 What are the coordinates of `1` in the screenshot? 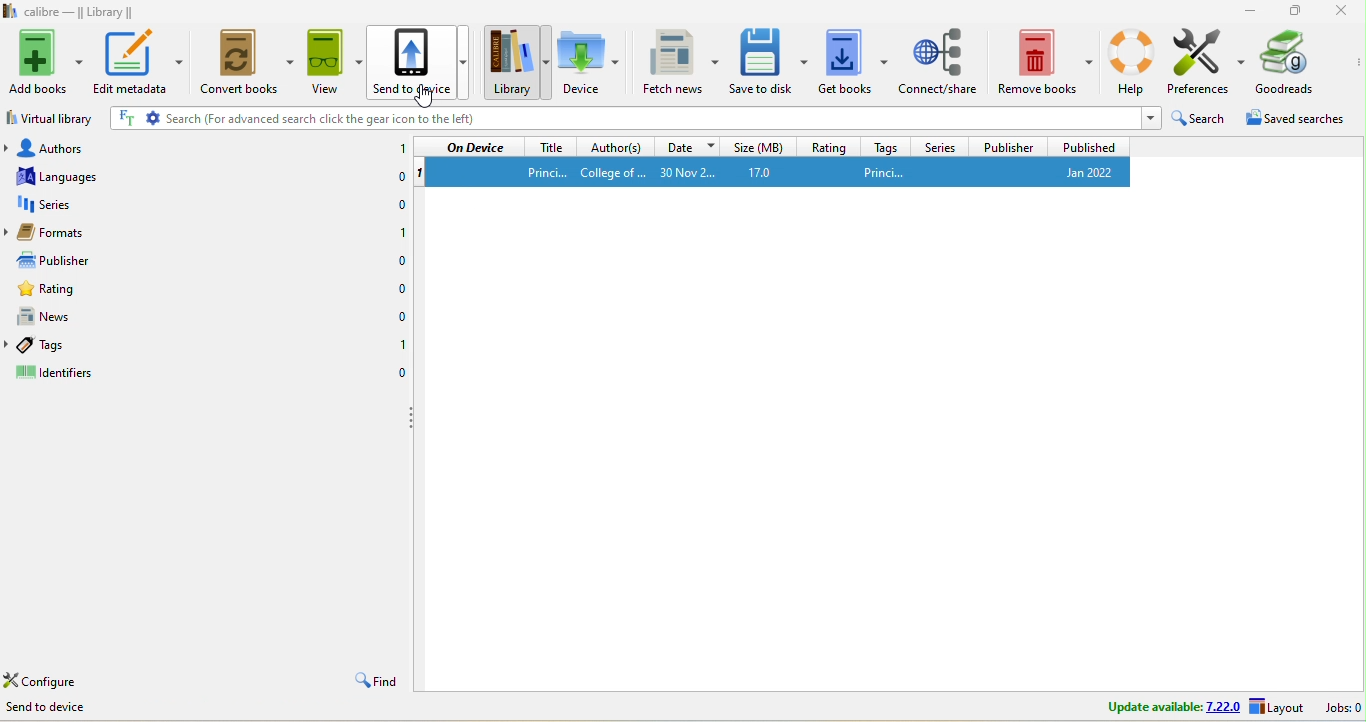 It's located at (394, 342).